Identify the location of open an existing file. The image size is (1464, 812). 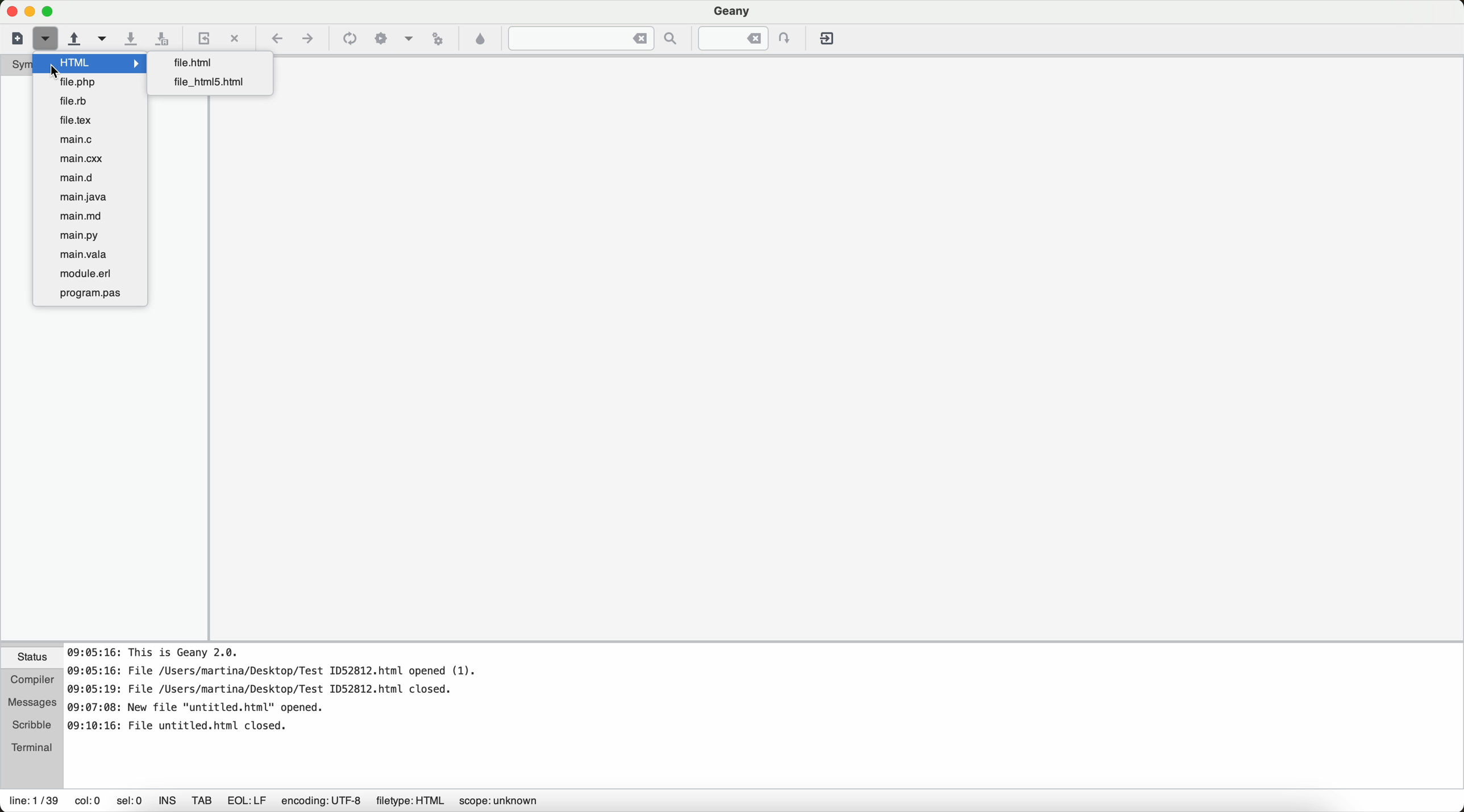
(73, 38).